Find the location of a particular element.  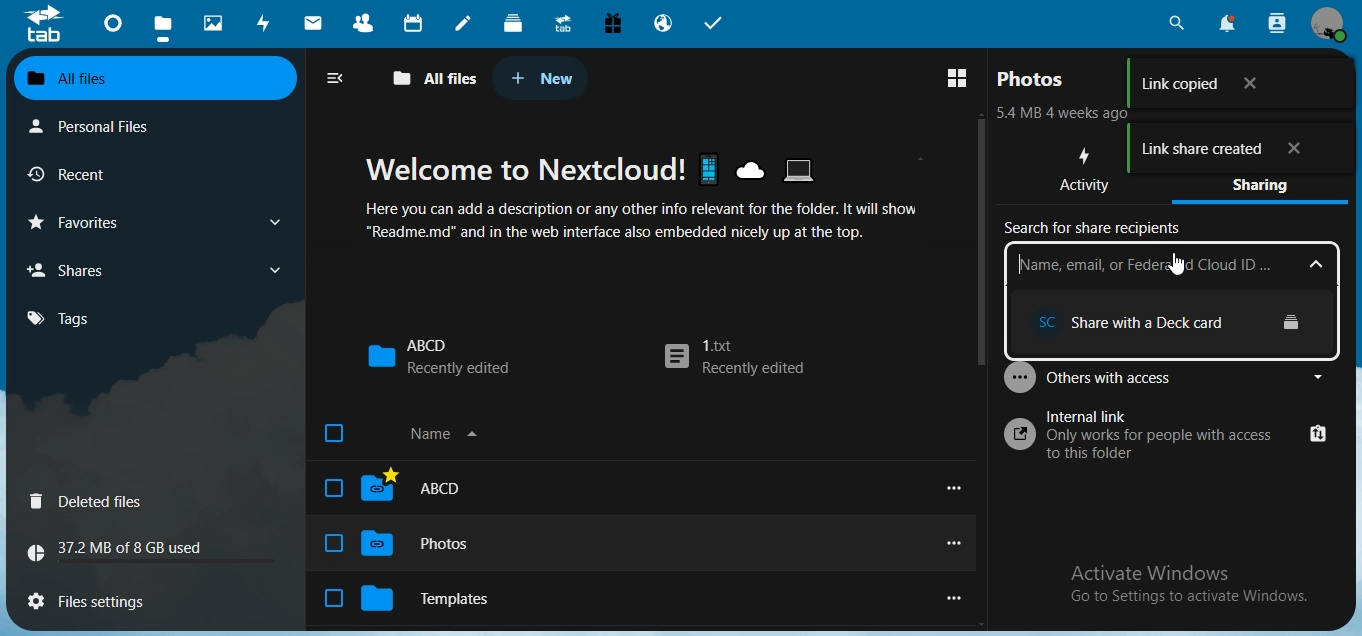

search contacts is located at coordinates (1277, 23).